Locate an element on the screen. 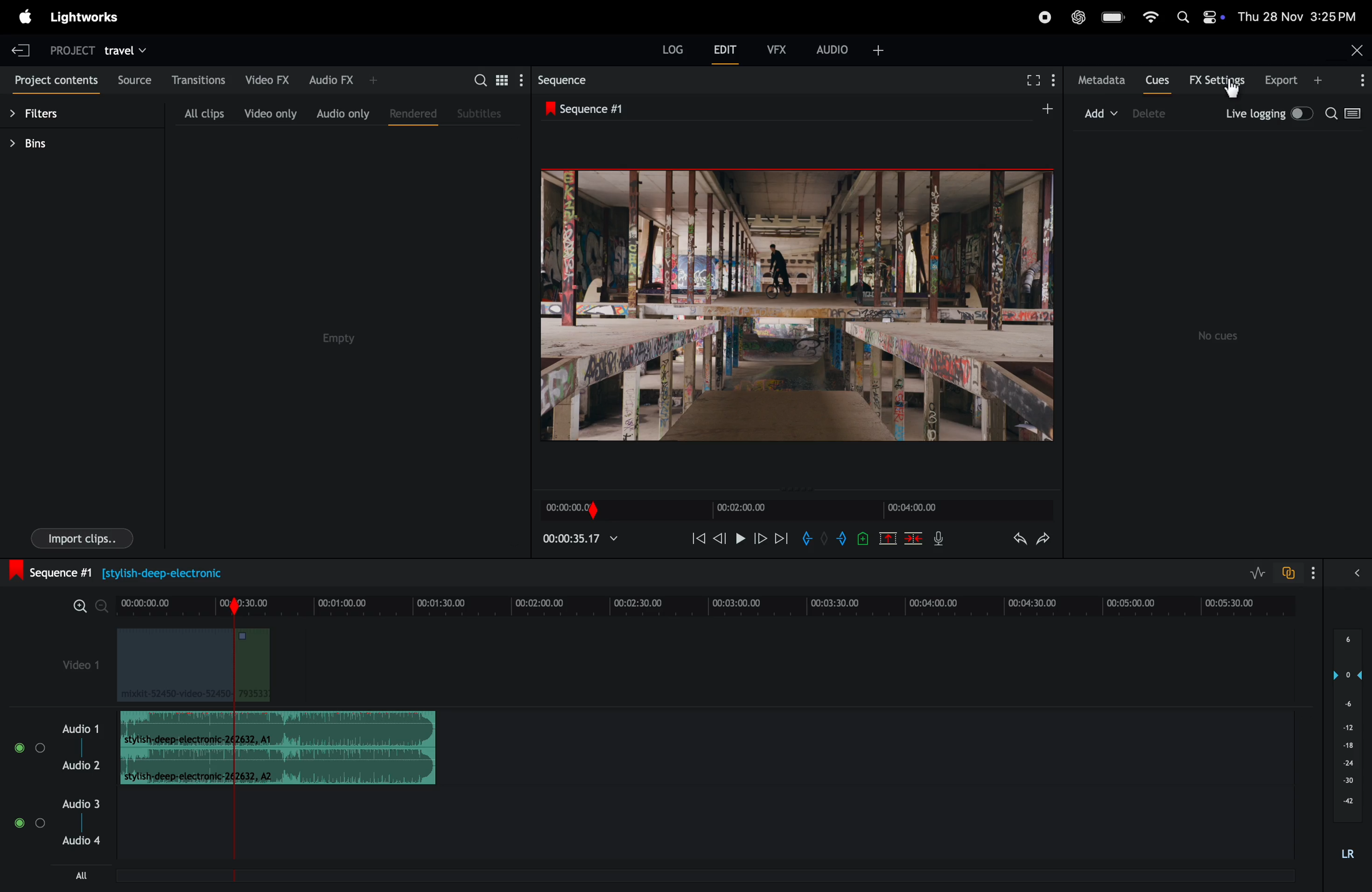 This screenshot has height=892, width=1372. video only is located at coordinates (269, 114).